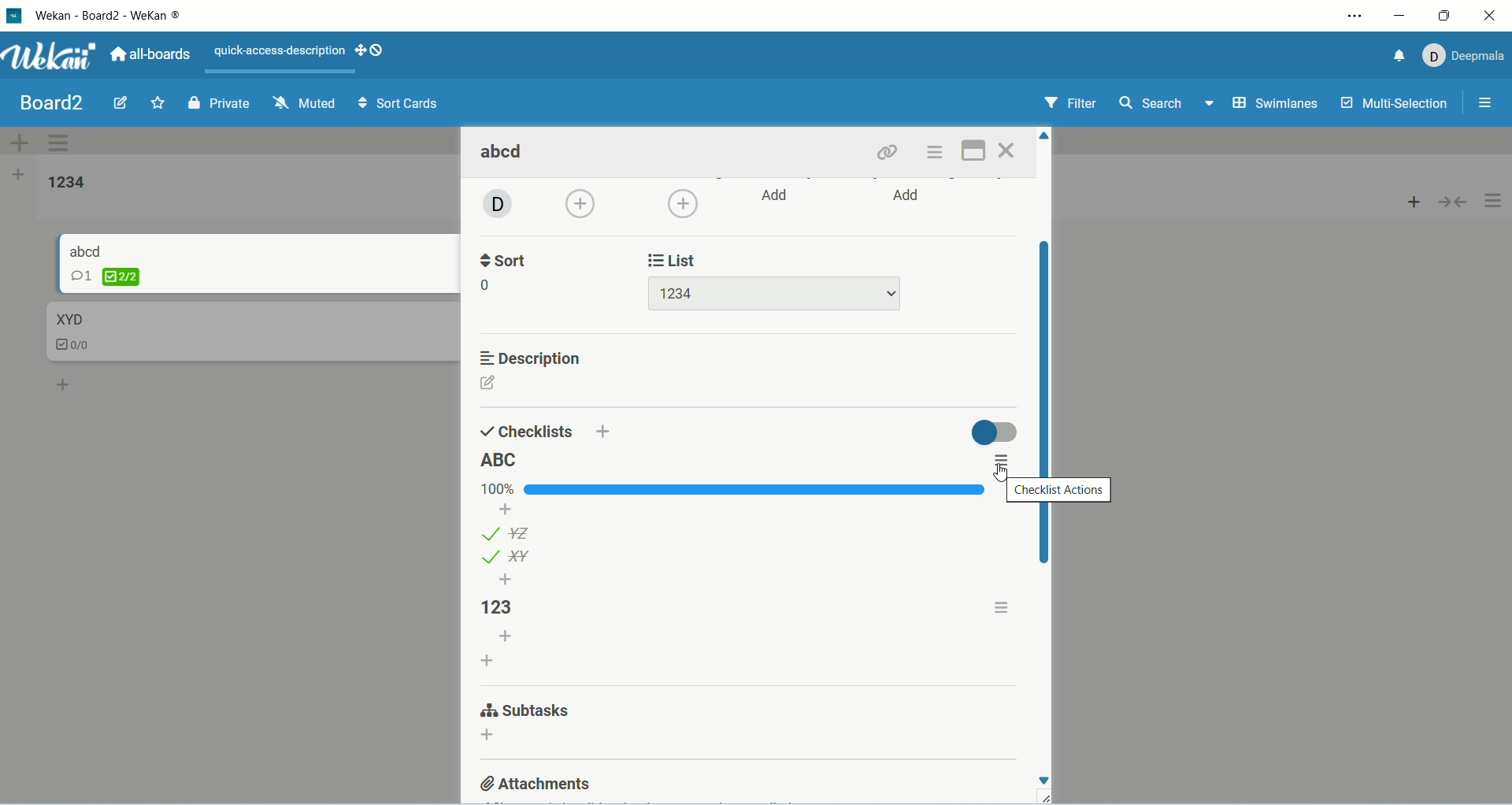  I want to click on add, so click(909, 197).